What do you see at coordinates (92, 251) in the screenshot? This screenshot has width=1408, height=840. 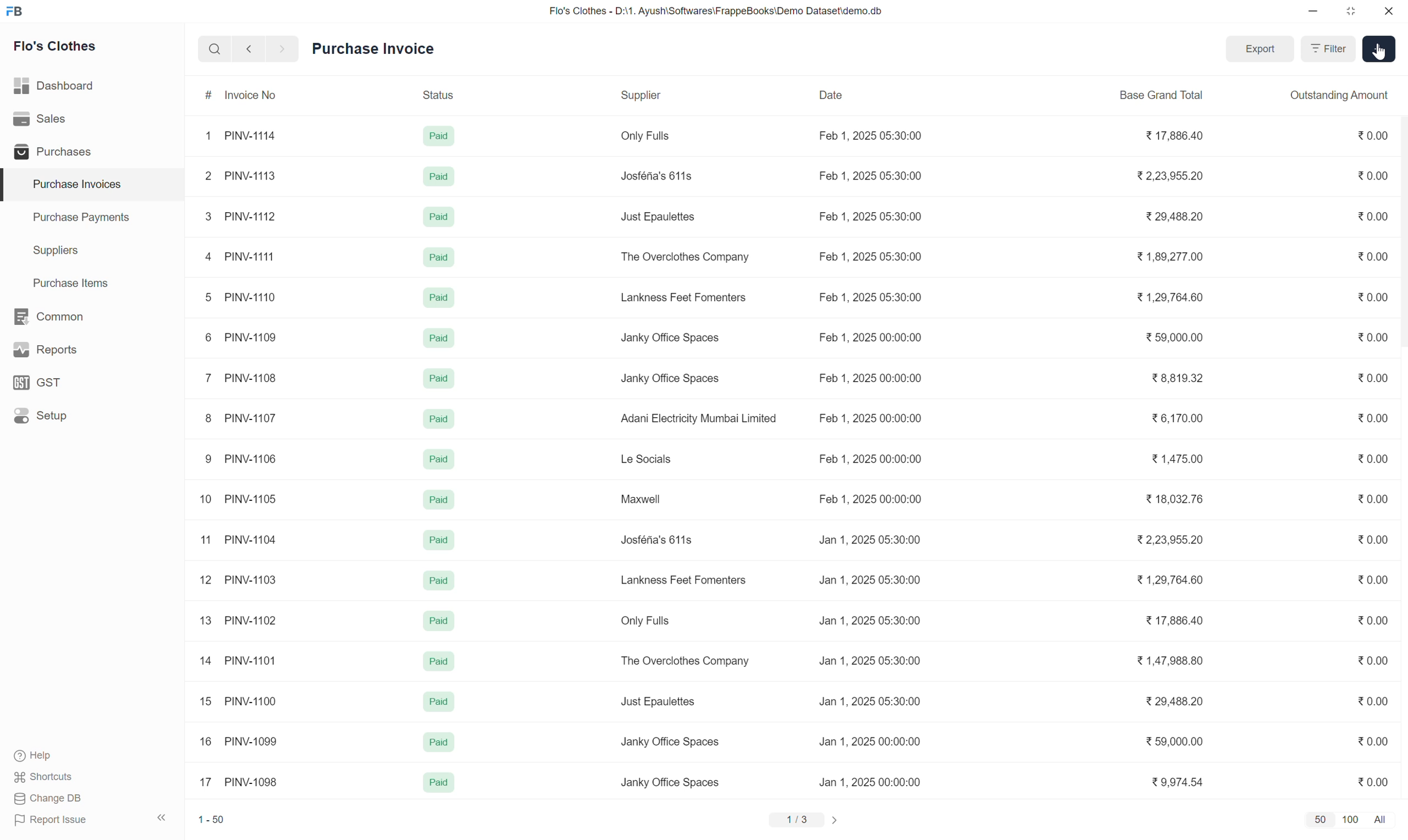 I see `Suppliers` at bounding box center [92, 251].